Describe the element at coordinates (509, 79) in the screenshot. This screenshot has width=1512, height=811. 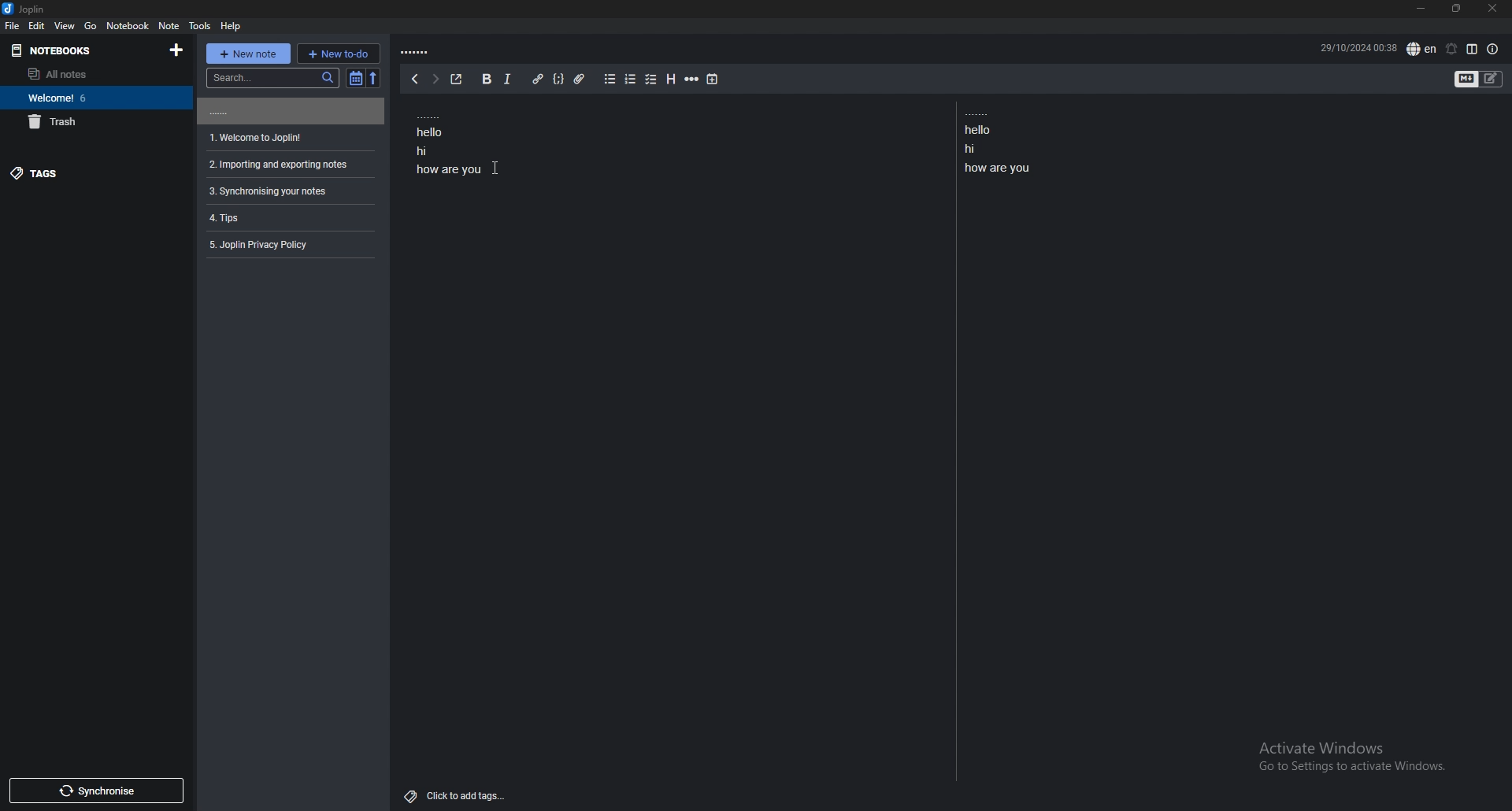
I see `italic` at that location.